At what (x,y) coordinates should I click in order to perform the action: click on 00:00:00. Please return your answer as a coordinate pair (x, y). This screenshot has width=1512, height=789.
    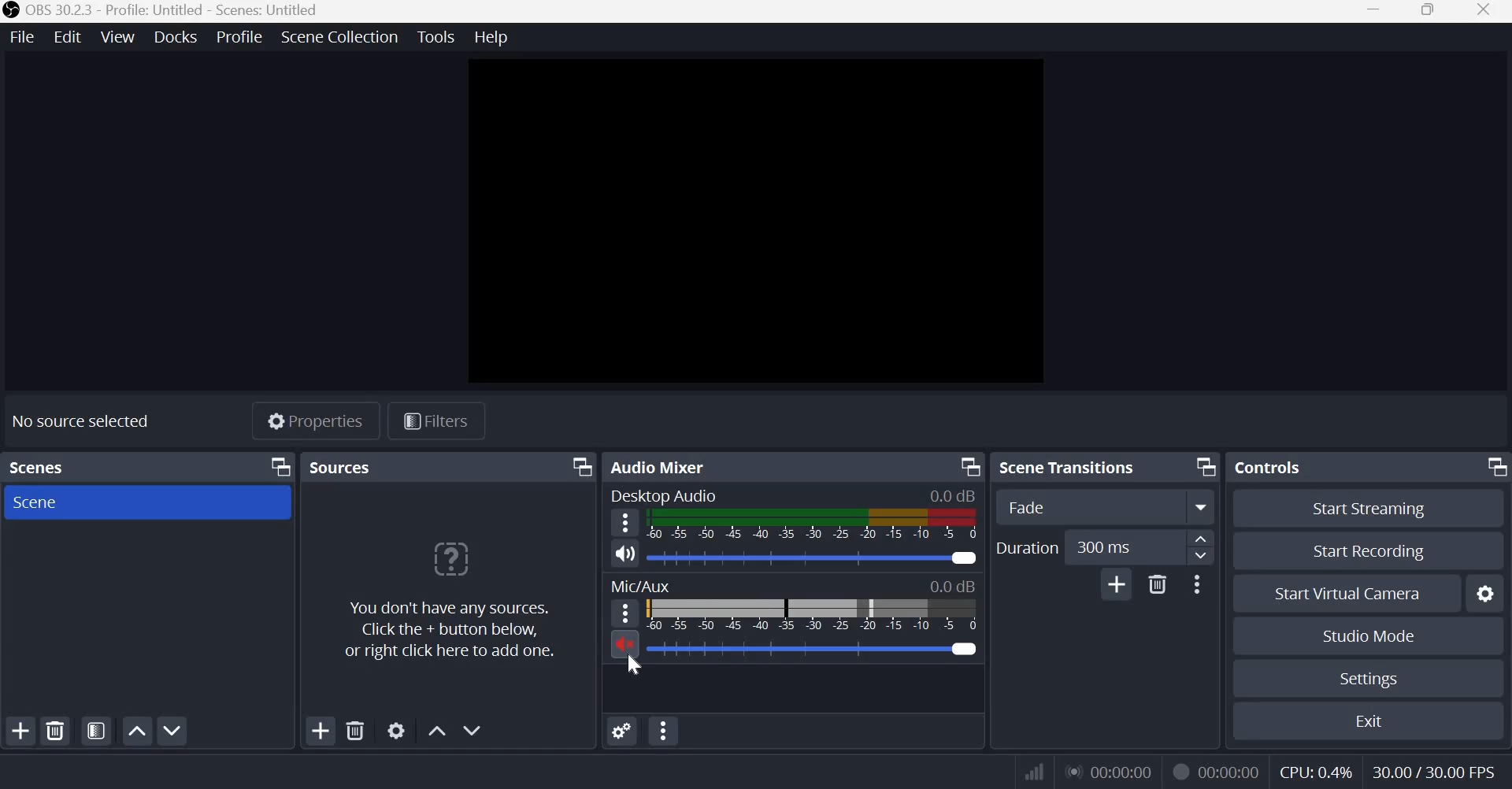
    Looking at the image, I should click on (1107, 770).